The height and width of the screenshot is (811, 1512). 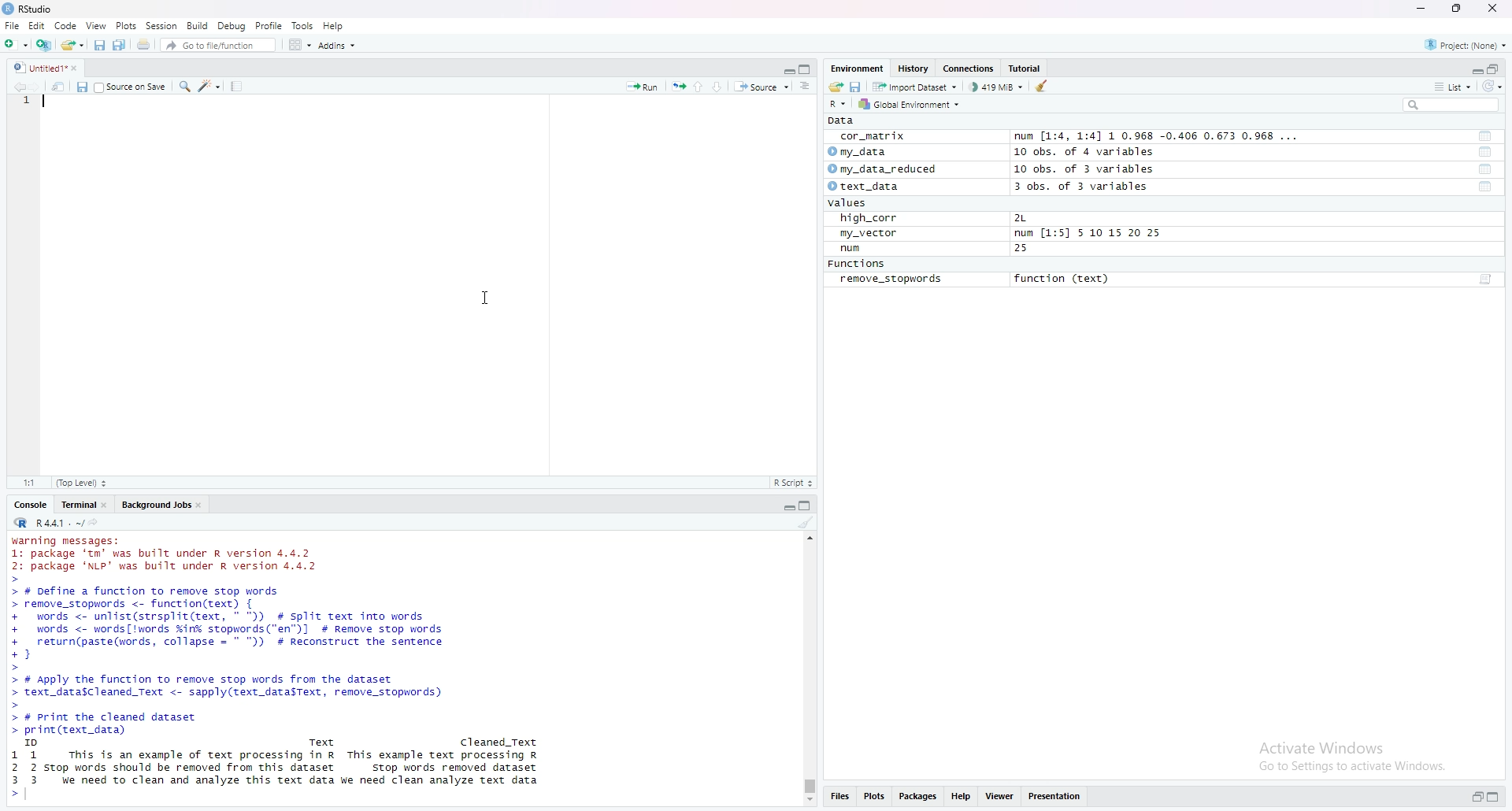 I want to click on Save, so click(x=80, y=87).